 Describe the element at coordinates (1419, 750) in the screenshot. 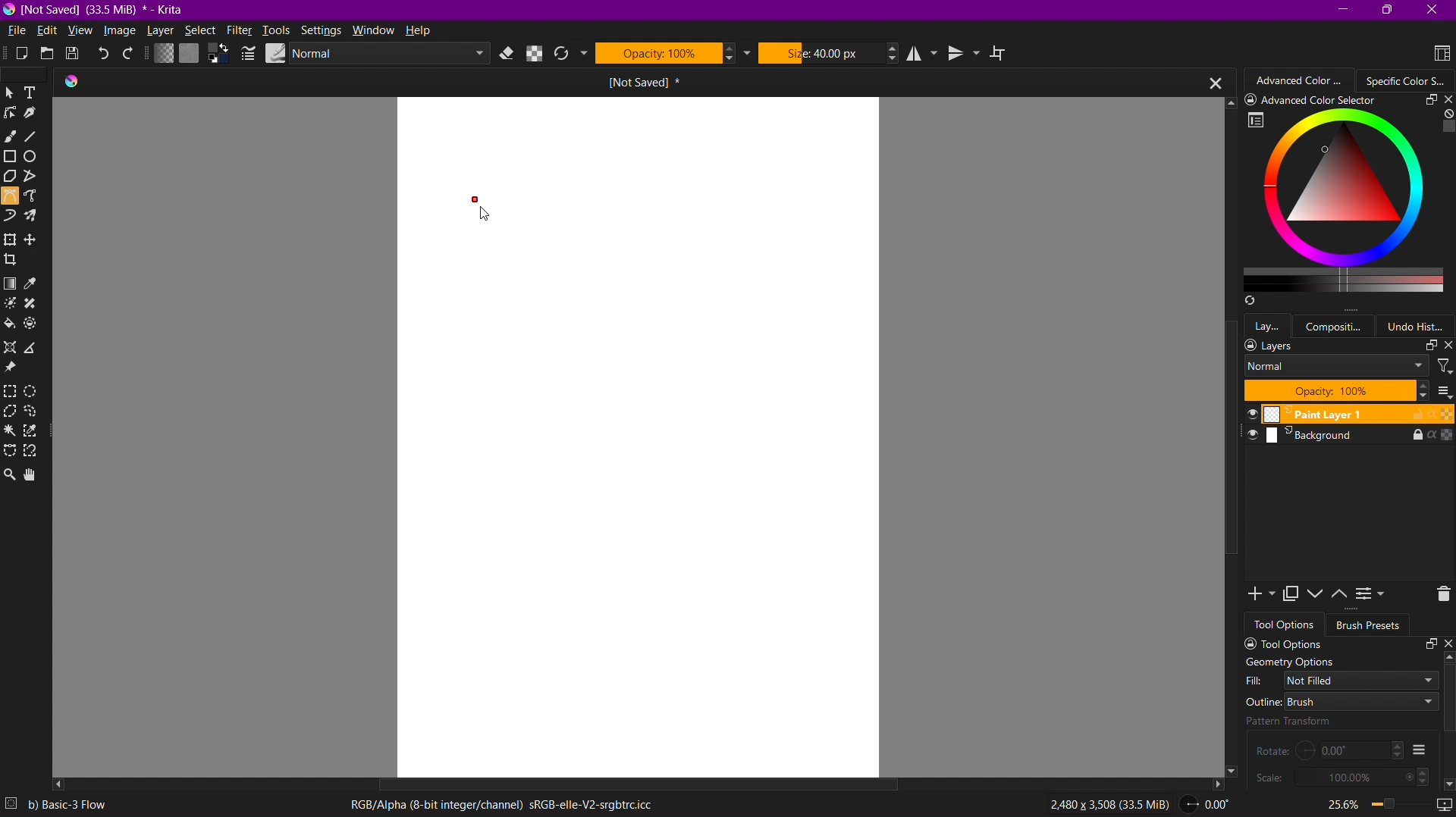

I see `Options` at that location.